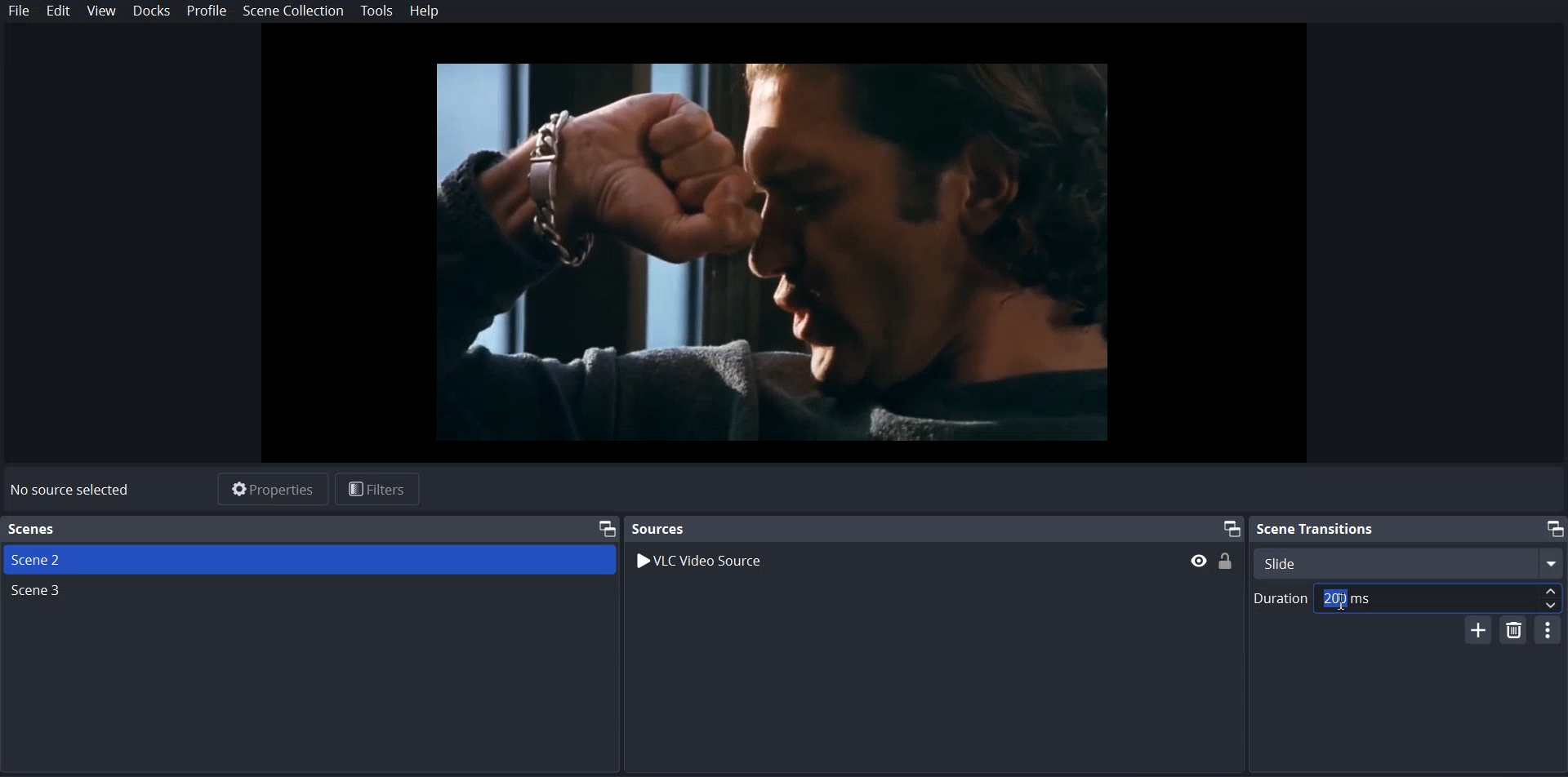 The height and width of the screenshot is (777, 1568). I want to click on Text Cursor, so click(1340, 601).